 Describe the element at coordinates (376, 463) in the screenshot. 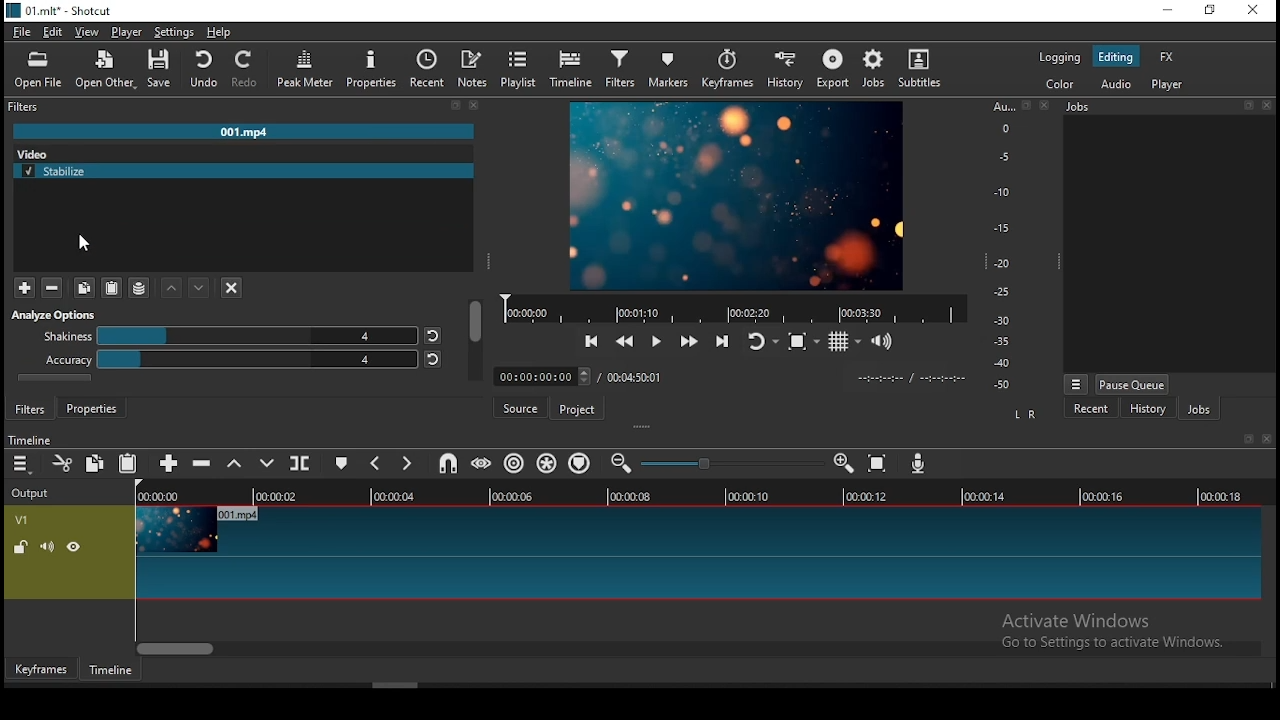

I see `previous marker` at that location.